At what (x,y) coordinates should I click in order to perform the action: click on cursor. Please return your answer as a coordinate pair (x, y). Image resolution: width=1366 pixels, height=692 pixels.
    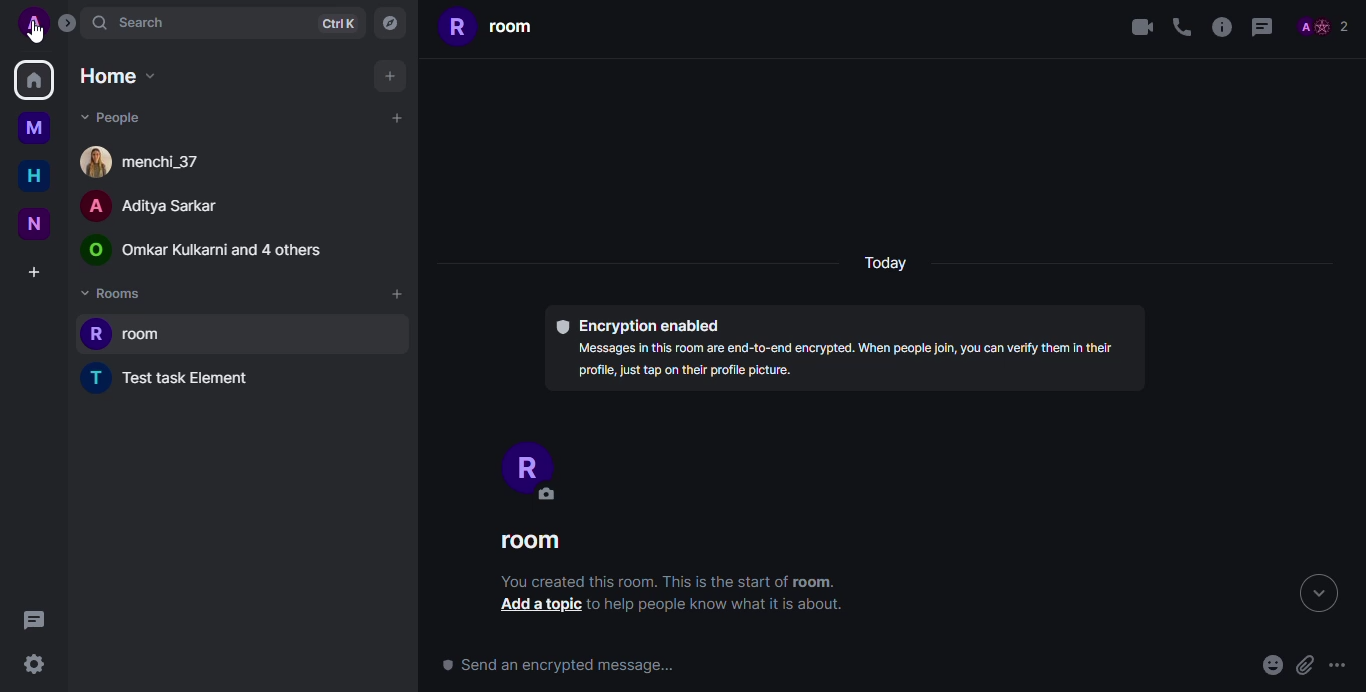
    Looking at the image, I should click on (34, 34).